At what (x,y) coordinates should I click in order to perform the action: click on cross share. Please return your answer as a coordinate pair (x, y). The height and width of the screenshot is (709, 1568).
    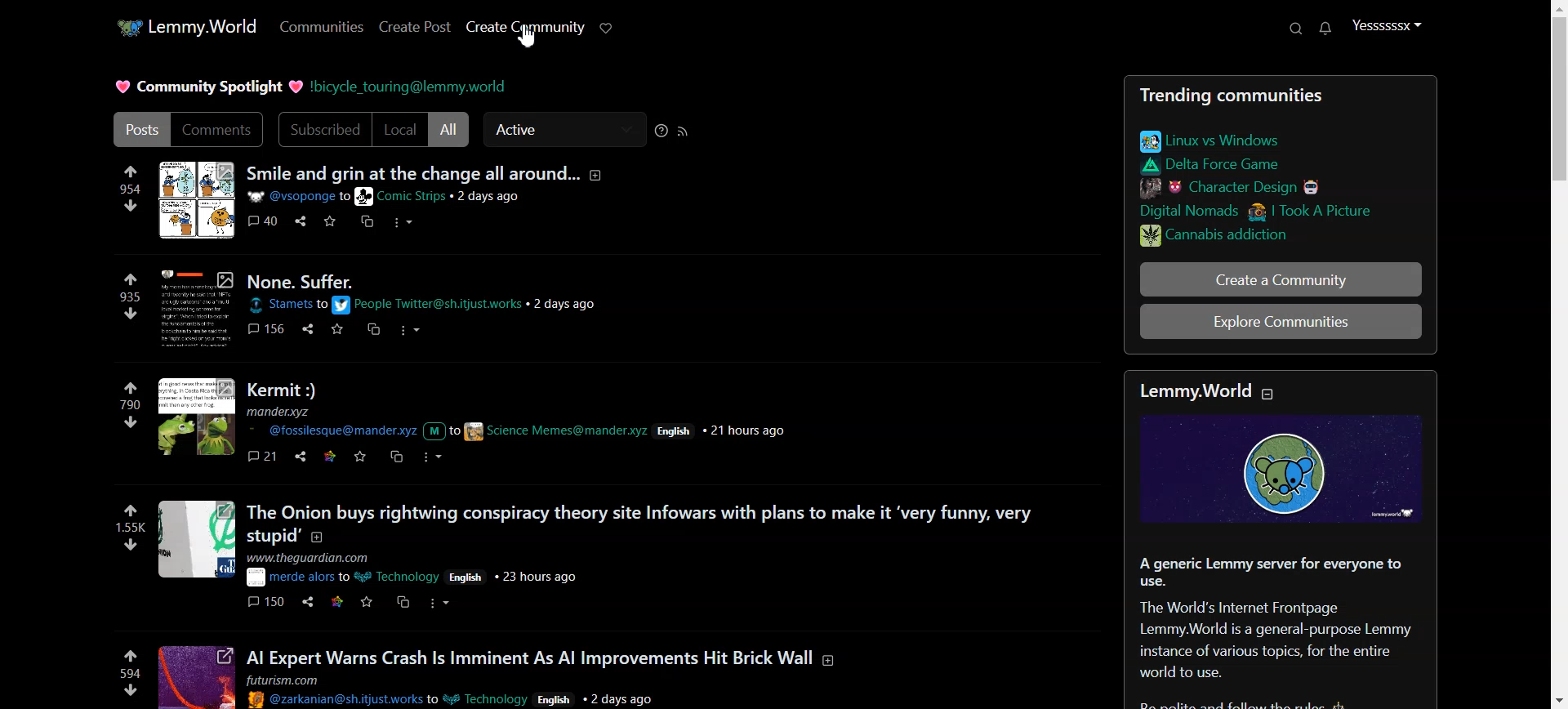
    Looking at the image, I should click on (369, 222).